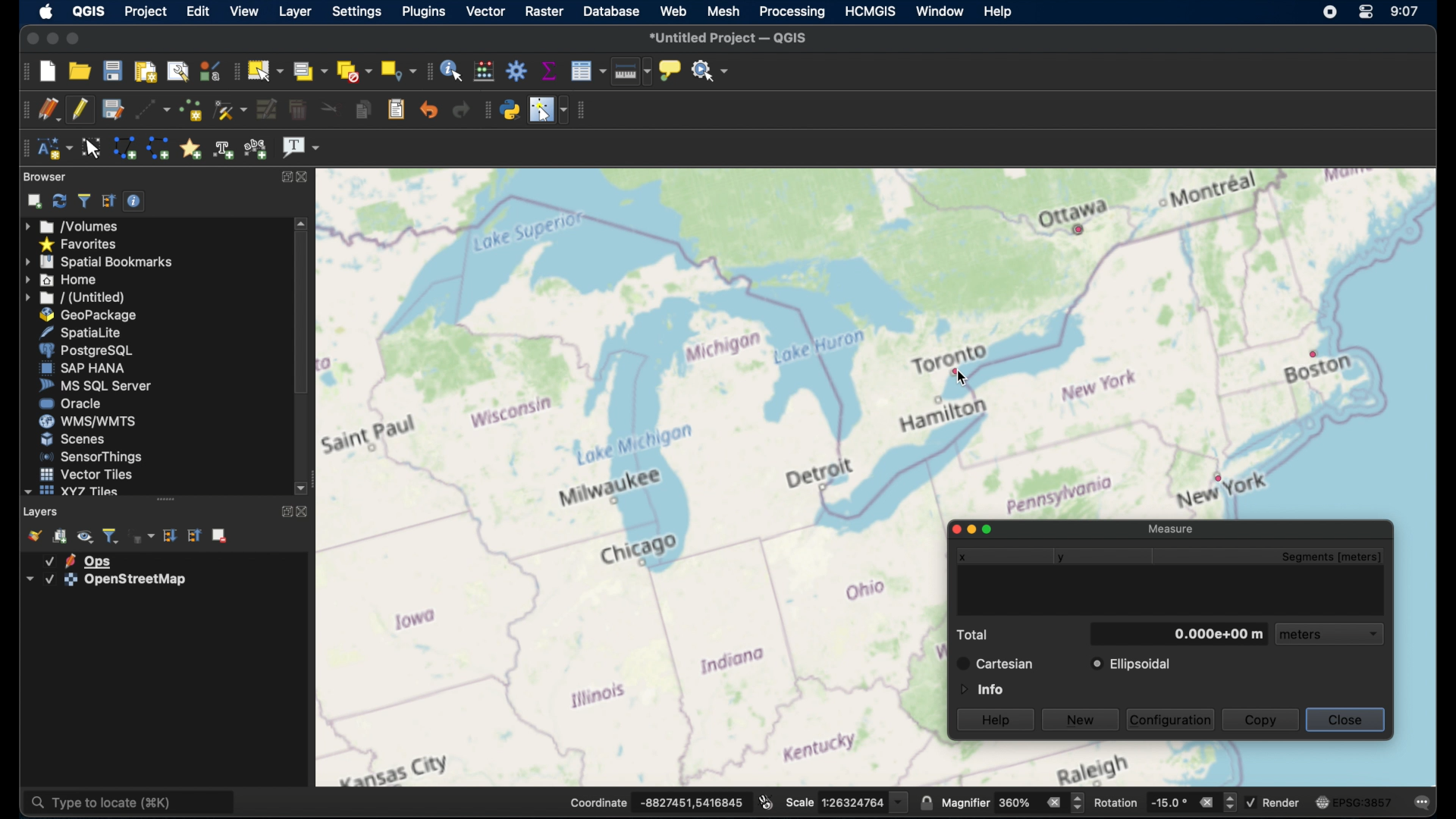 The image size is (1456, 819). I want to click on point feature, so click(1221, 479).